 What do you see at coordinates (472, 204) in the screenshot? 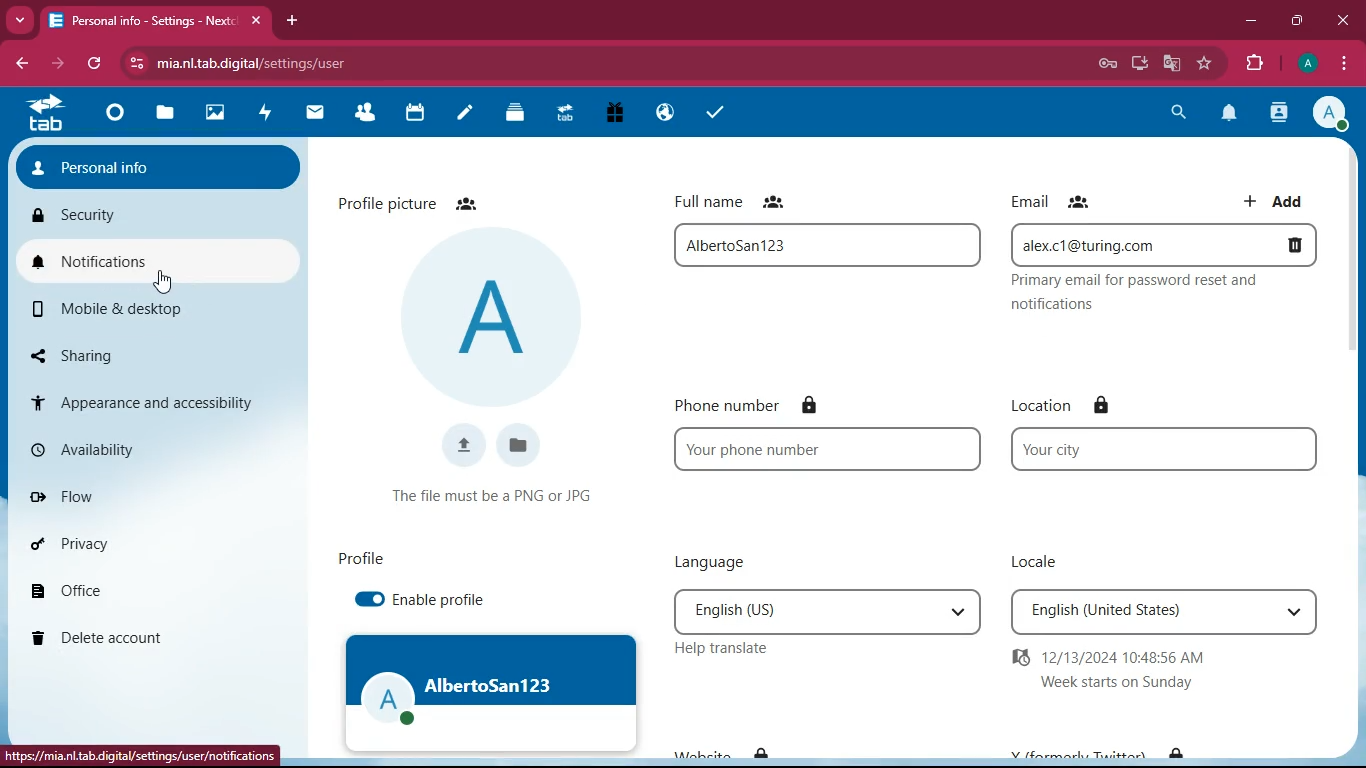
I see `Friends` at bounding box center [472, 204].